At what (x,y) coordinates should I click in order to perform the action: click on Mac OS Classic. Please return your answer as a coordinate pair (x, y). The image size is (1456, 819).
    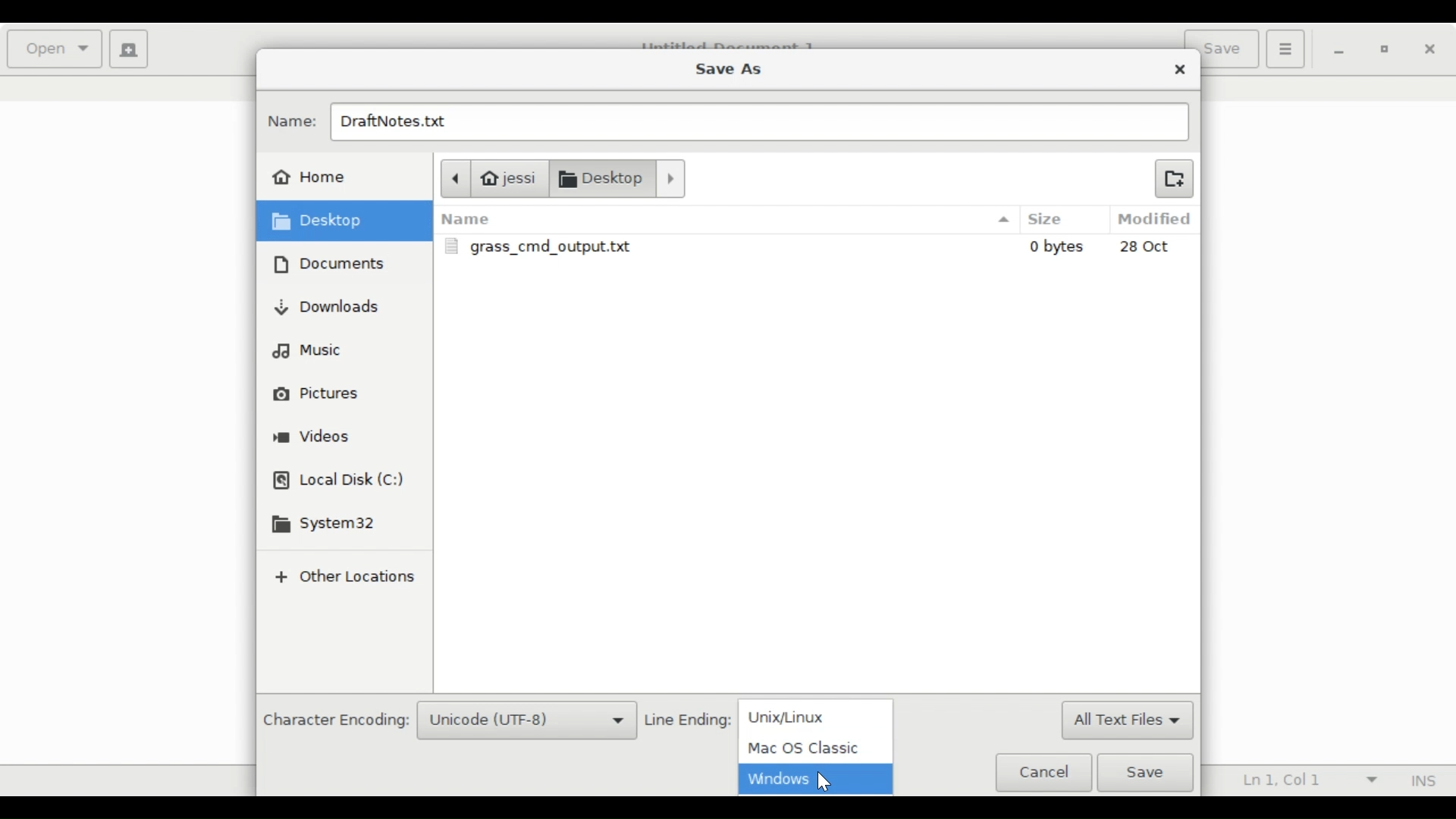
    Looking at the image, I should click on (802, 748).